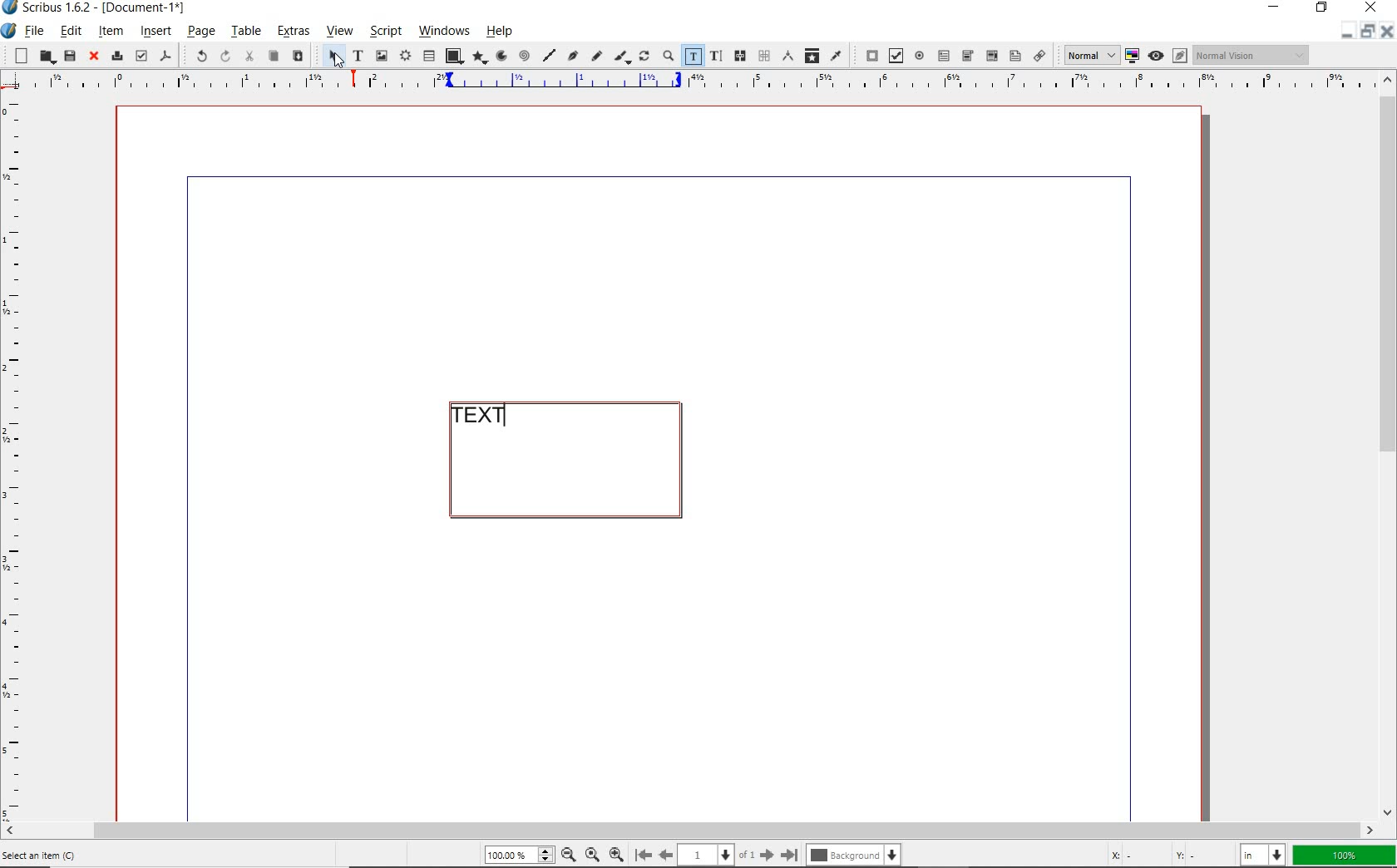 The image size is (1397, 868). I want to click on pdf radio button, so click(920, 56).